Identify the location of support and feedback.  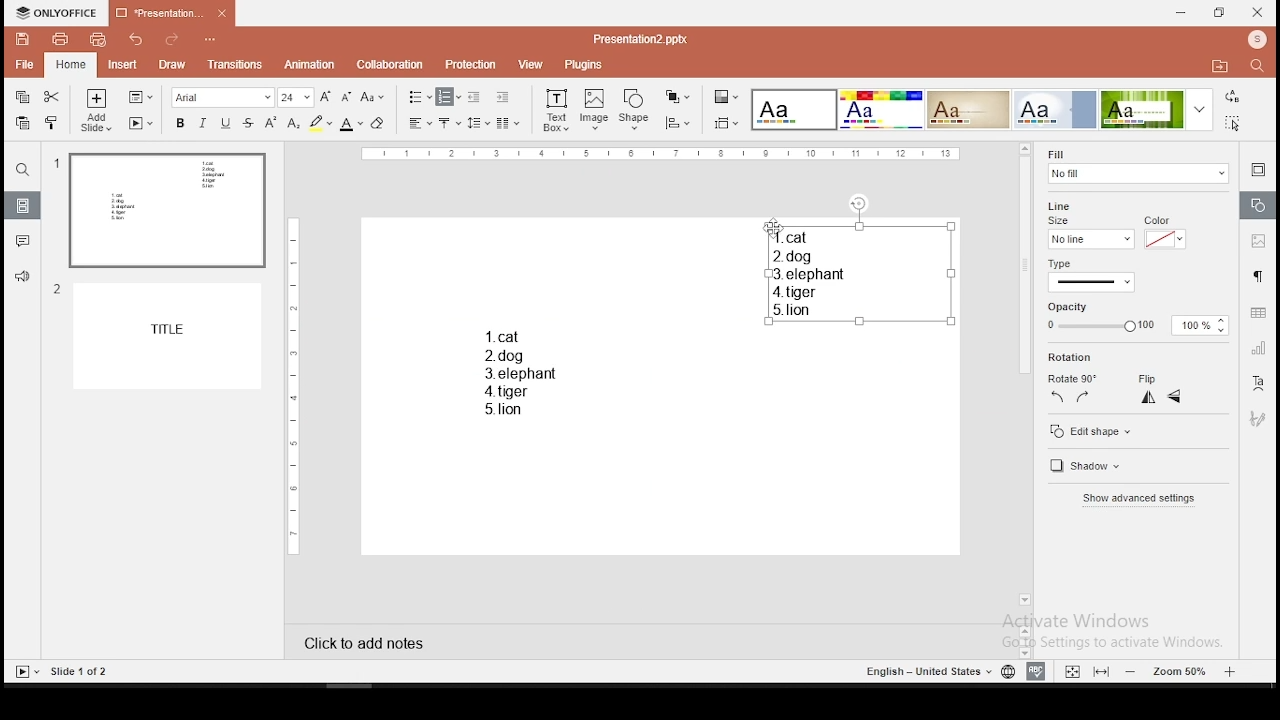
(23, 278).